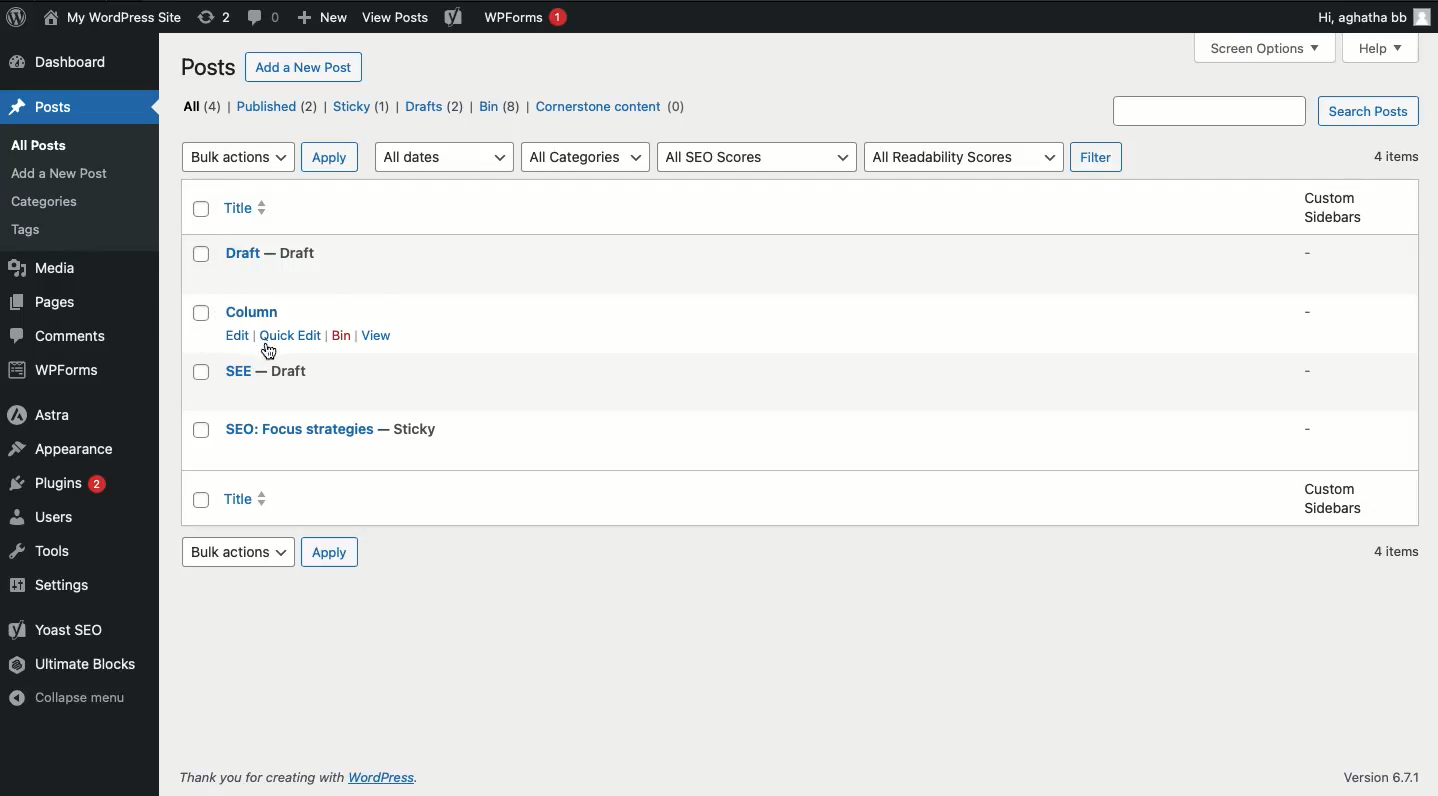 The image size is (1438, 796). What do you see at coordinates (1208, 111) in the screenshot?
I see `` at bounding box center [1208, 111].